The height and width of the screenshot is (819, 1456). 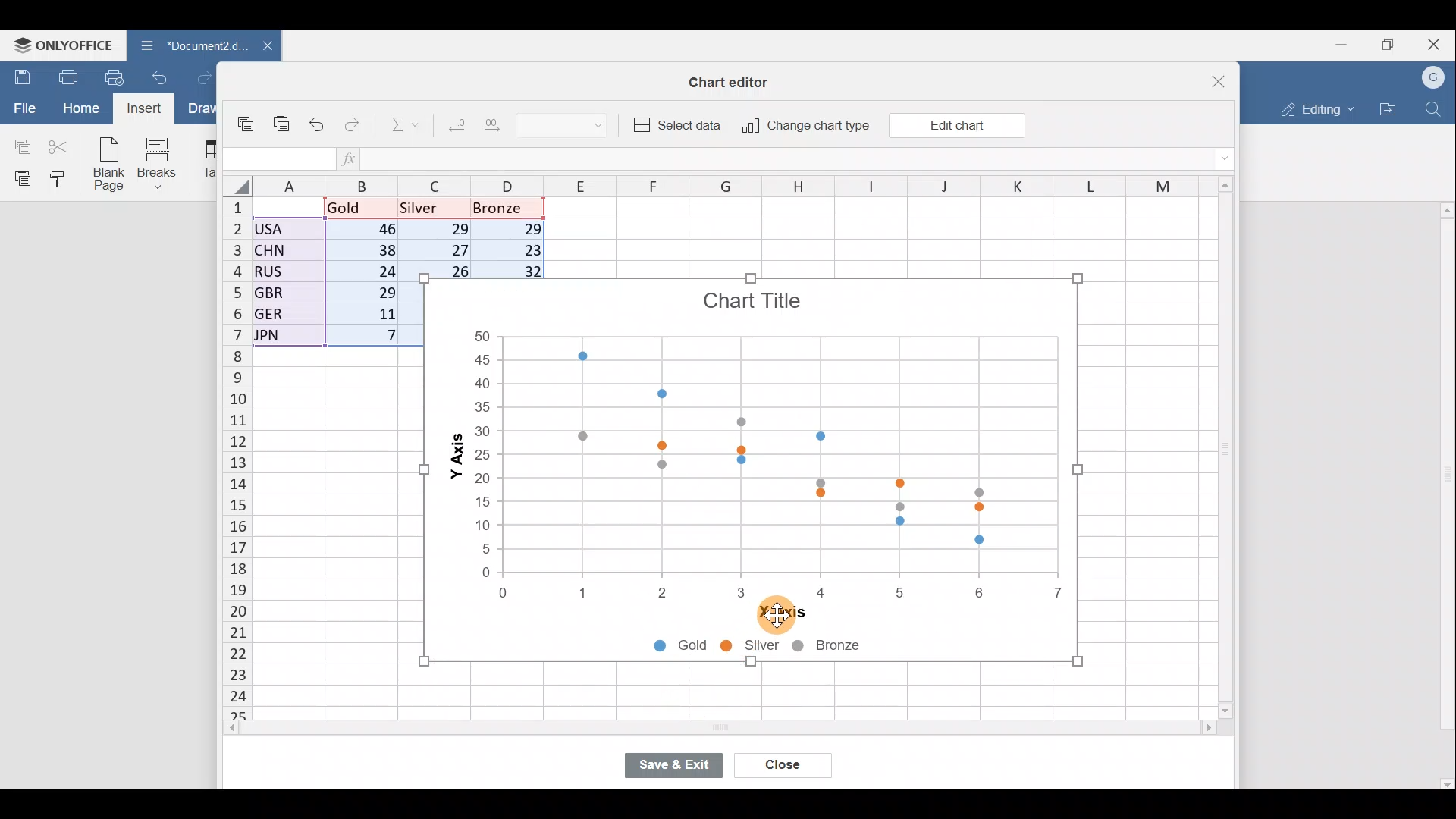 What do you see at coordinates (783, 767) in the screenshot?
I see `Close` at bounding box center [783, 767].